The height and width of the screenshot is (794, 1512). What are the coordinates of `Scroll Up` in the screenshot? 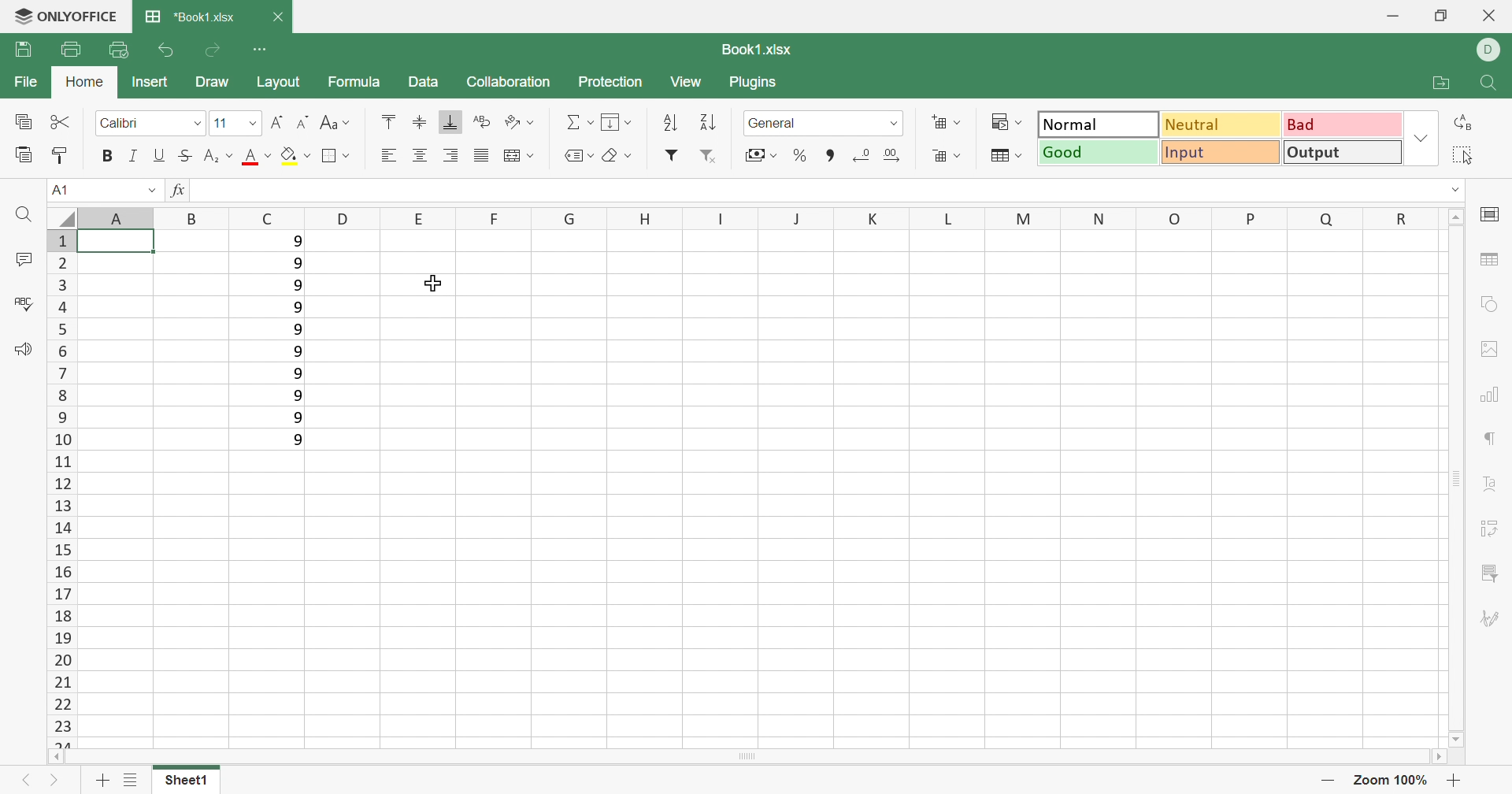 It's located at (1458, 217).